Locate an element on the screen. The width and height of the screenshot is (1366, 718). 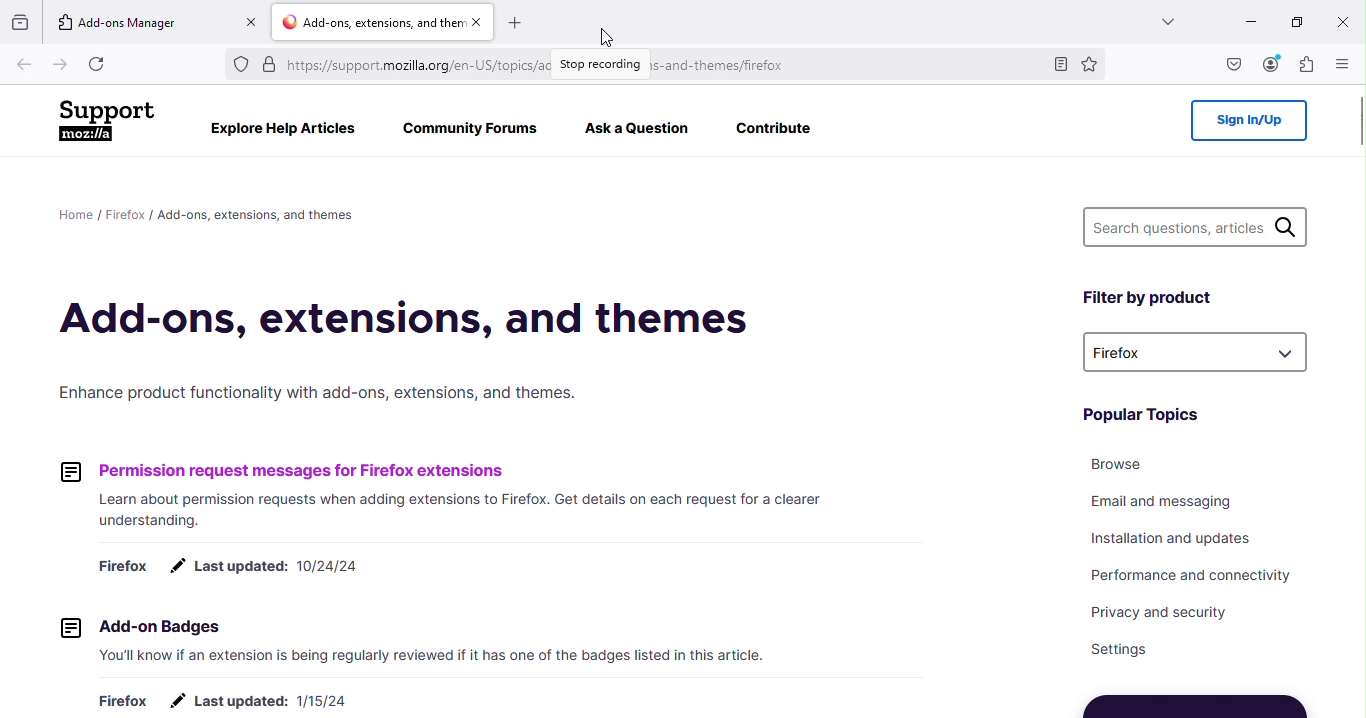
Email and messaging is located at coordinates (1159, 505).